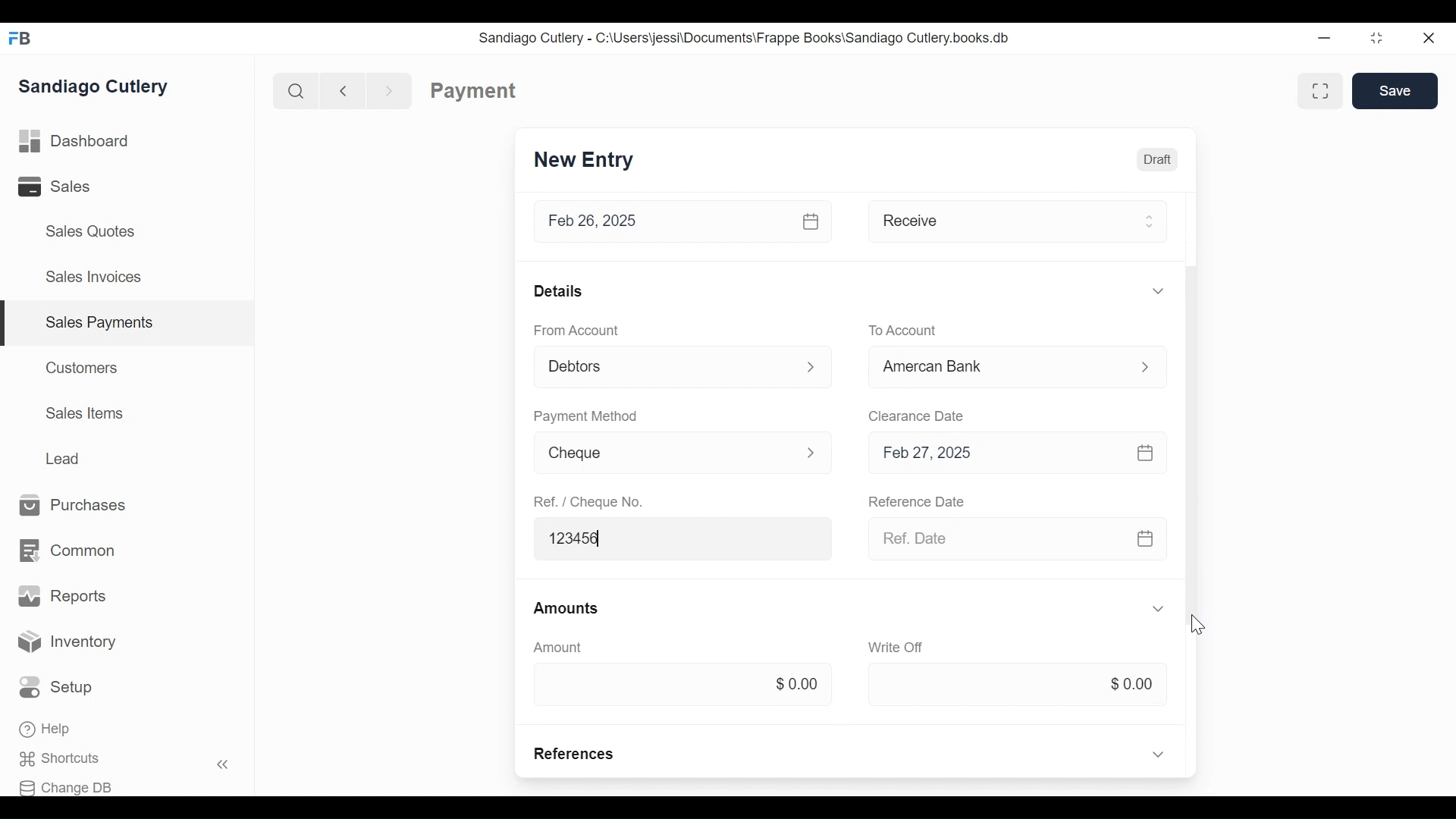  What do you see at coordinates (340, 90) in the screenshot?
I see `Navigate Back` at bounding box center [340, 90].